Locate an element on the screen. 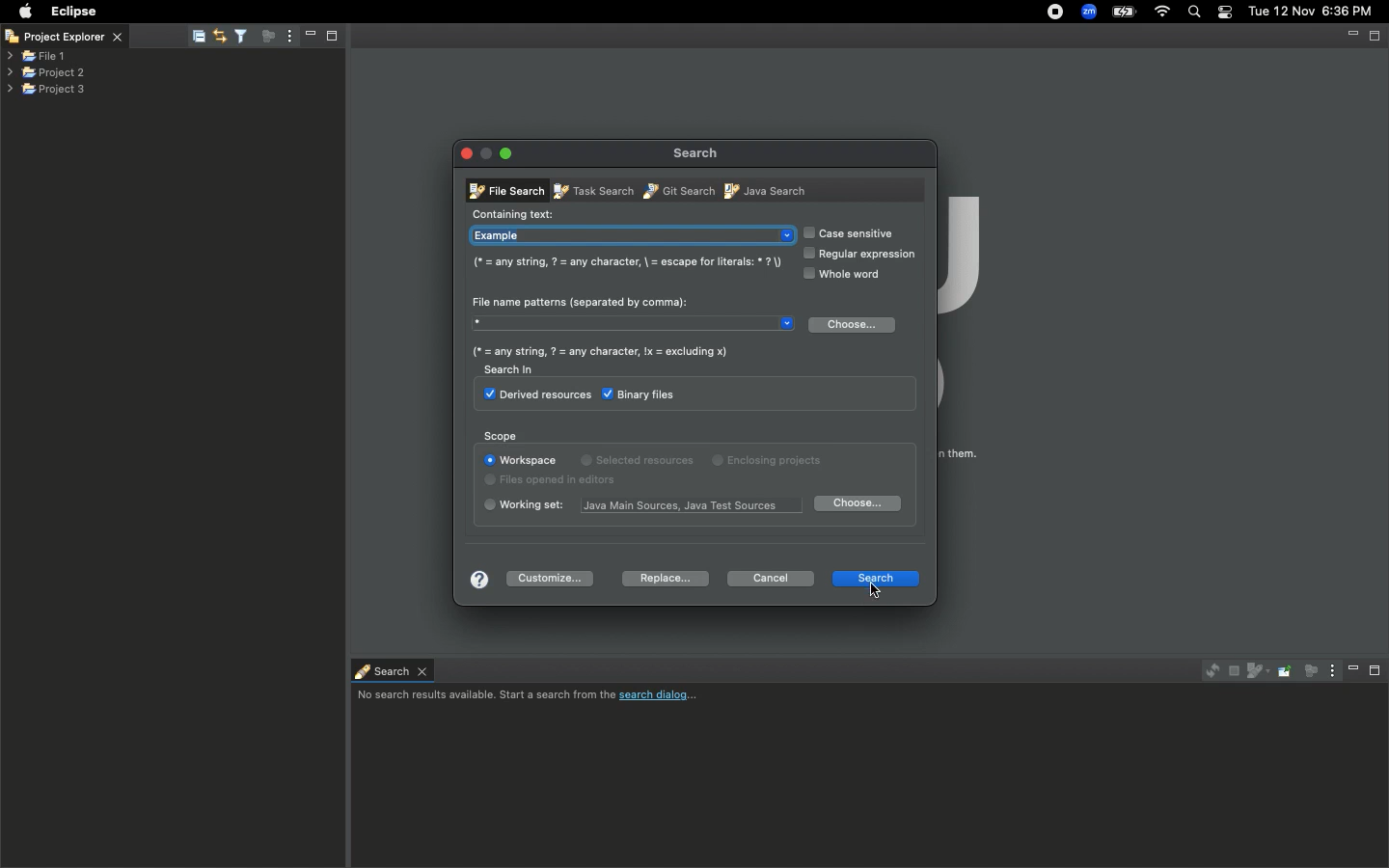 The image size is (1389, 868). Search is located at coordinates (1195, 14).